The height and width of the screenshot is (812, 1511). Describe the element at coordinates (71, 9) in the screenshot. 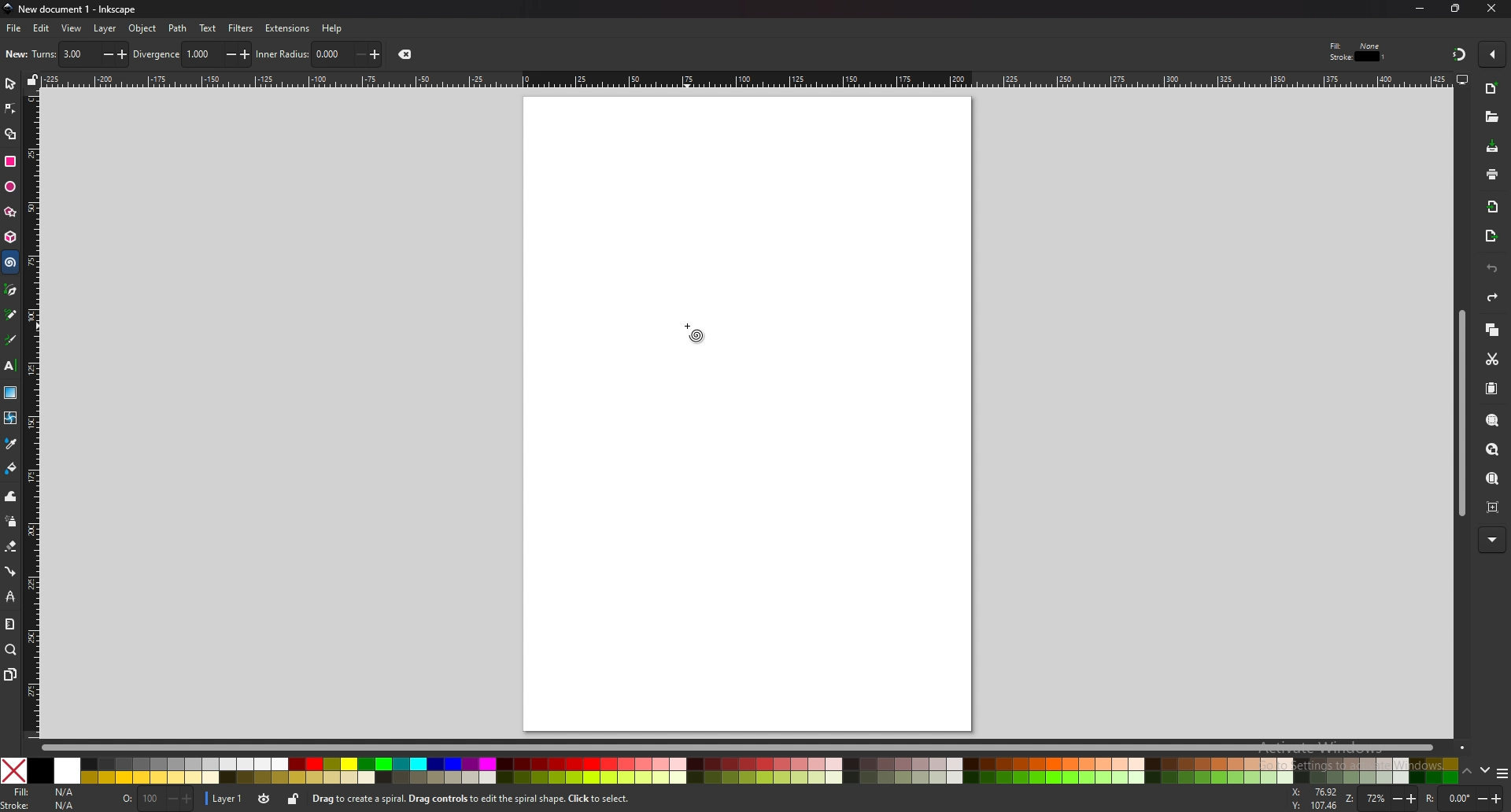

I see `New document 1 - Inkscape` at that location.